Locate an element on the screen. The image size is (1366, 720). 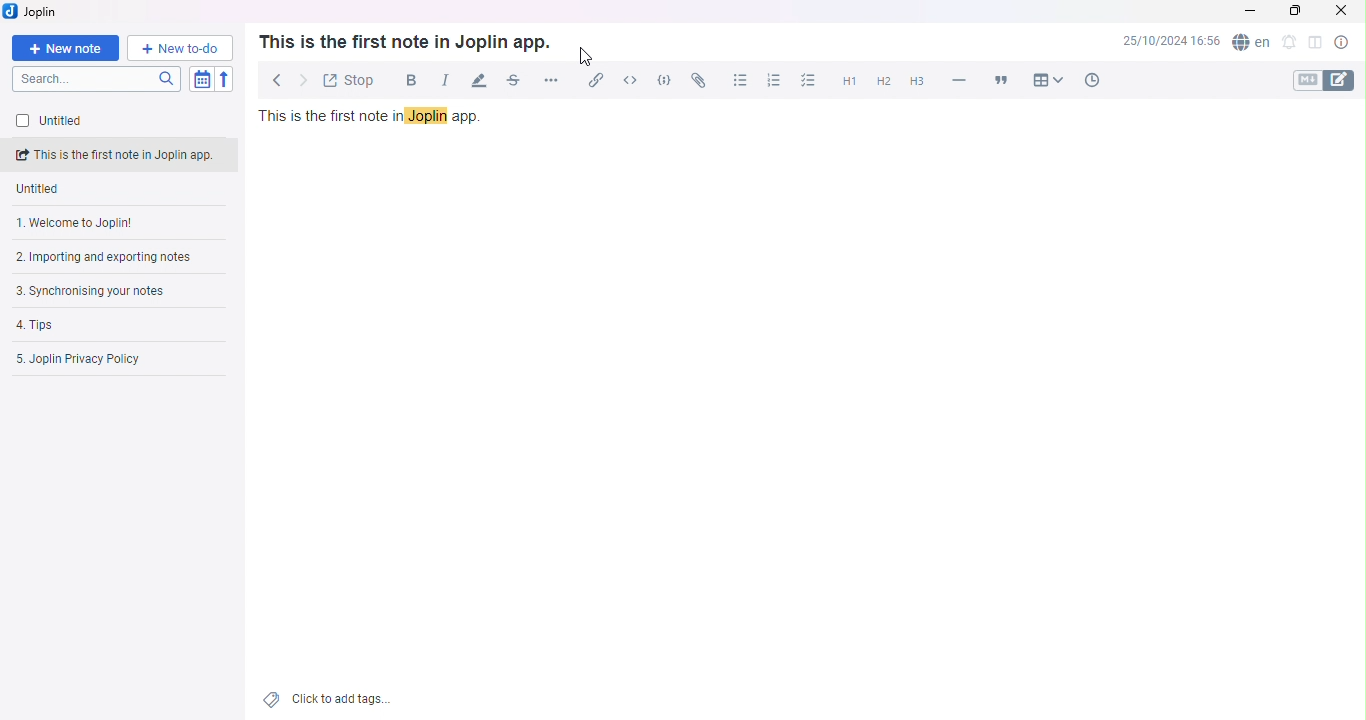
Bullet list is located at coordinates (739, 79).